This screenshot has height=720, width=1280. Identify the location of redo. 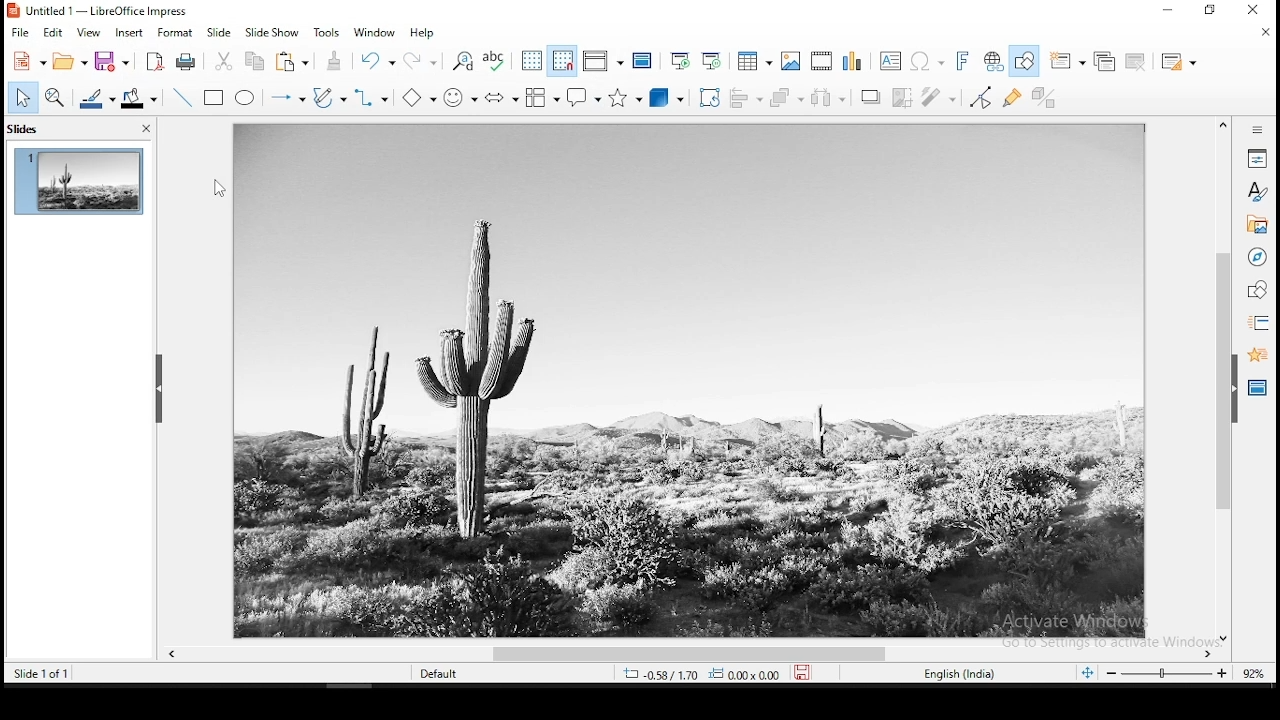
(421, 63).